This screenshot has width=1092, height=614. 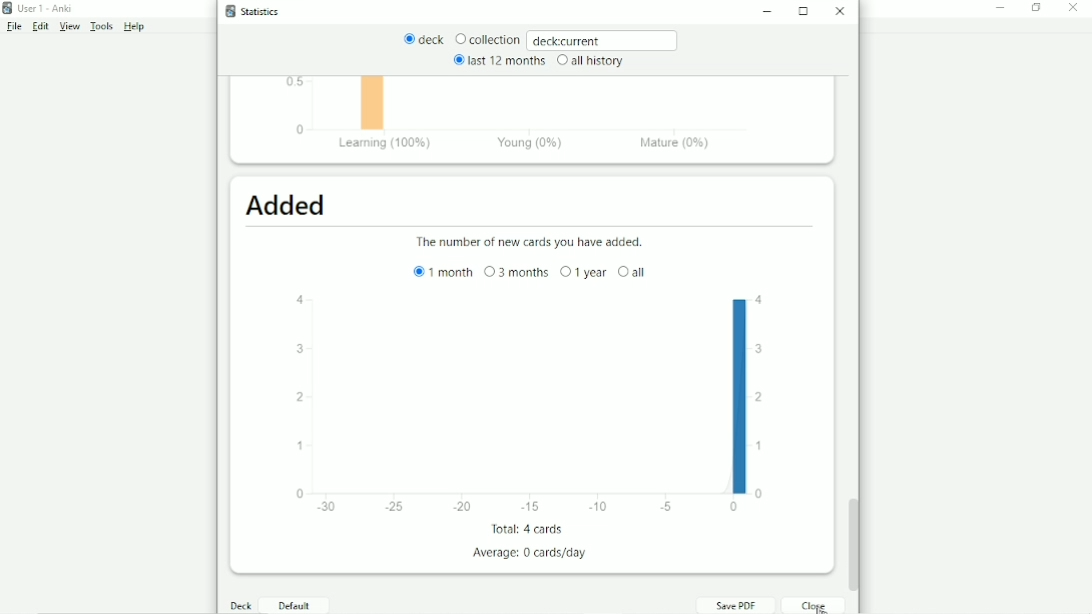 What do you see at coordinates (589, 61) in the screenshot?
I see `all history` at bounding box center [589, 61].